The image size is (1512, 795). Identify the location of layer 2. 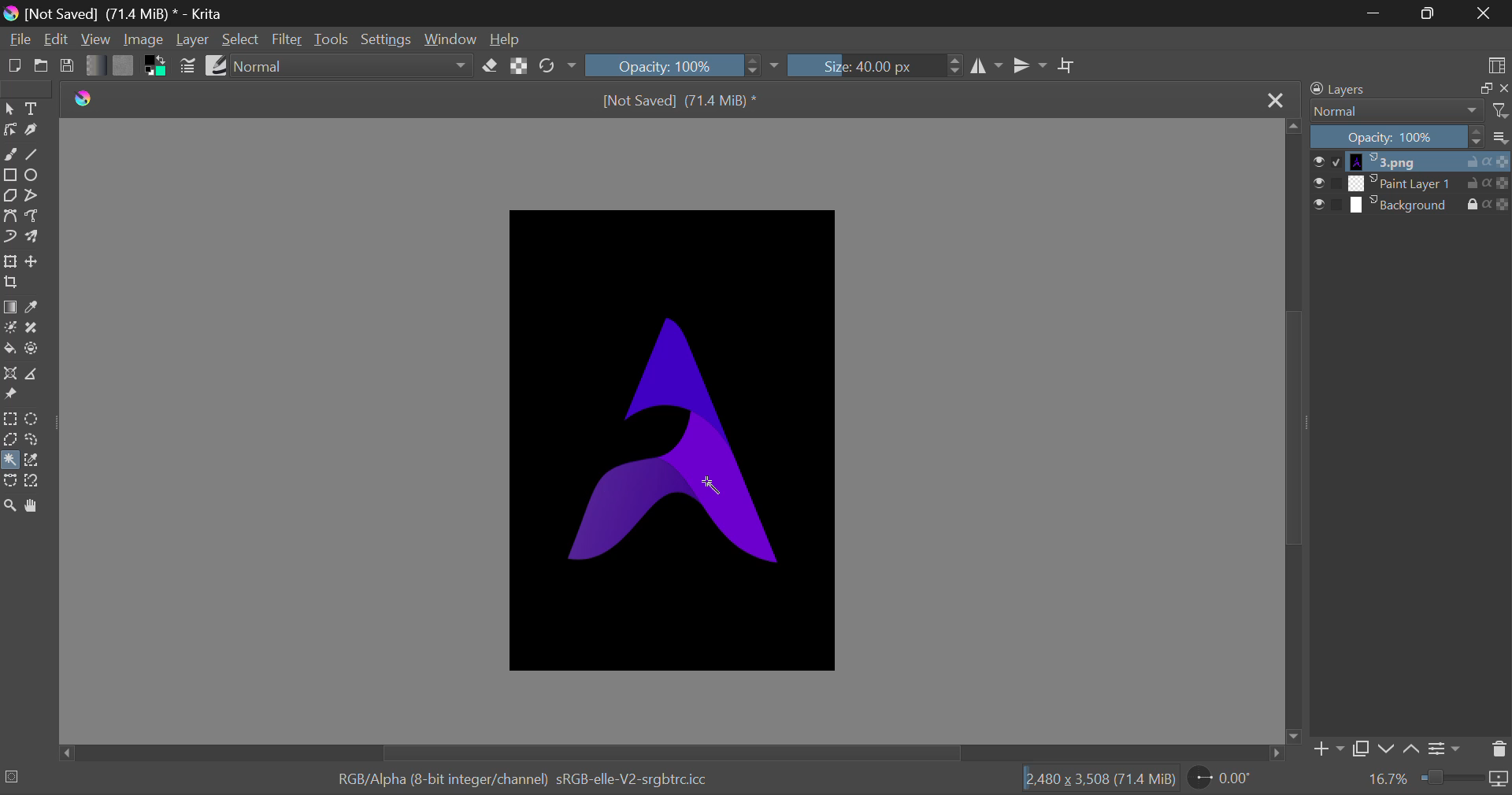
(1402, 183).